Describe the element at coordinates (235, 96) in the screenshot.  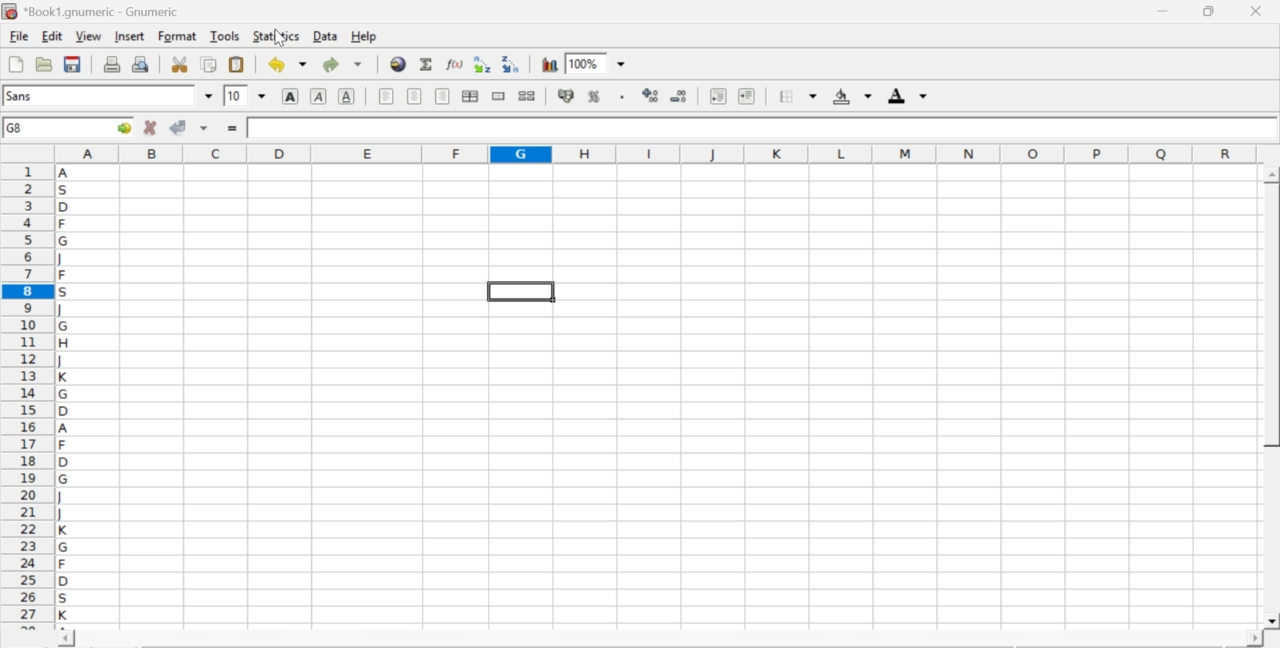
I see `10` at that location.